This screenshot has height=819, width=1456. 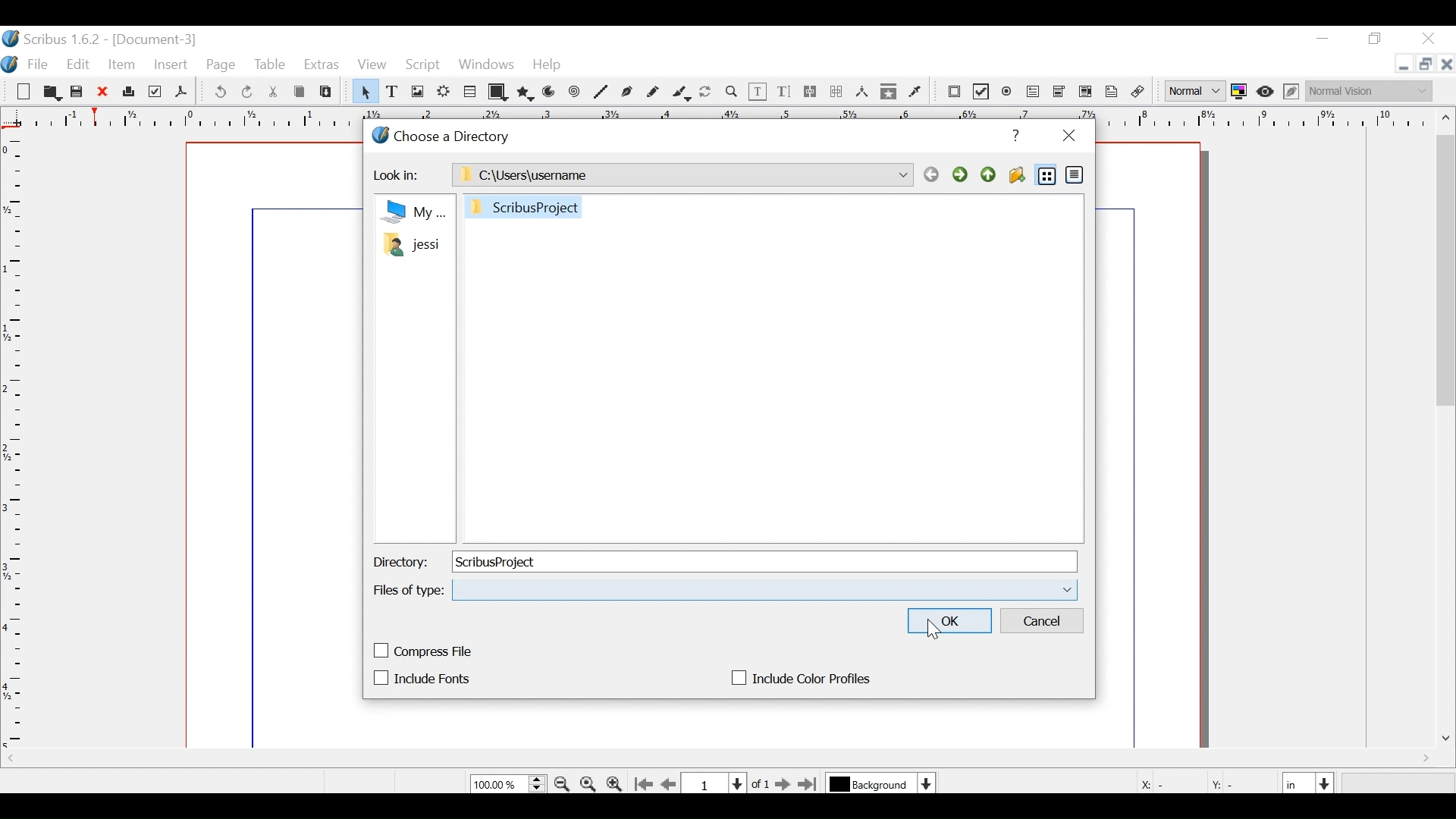 What do you see at coordinates (616, 784) in the screenshot?
I see `Zoom out` at bounding box center [616, 784].